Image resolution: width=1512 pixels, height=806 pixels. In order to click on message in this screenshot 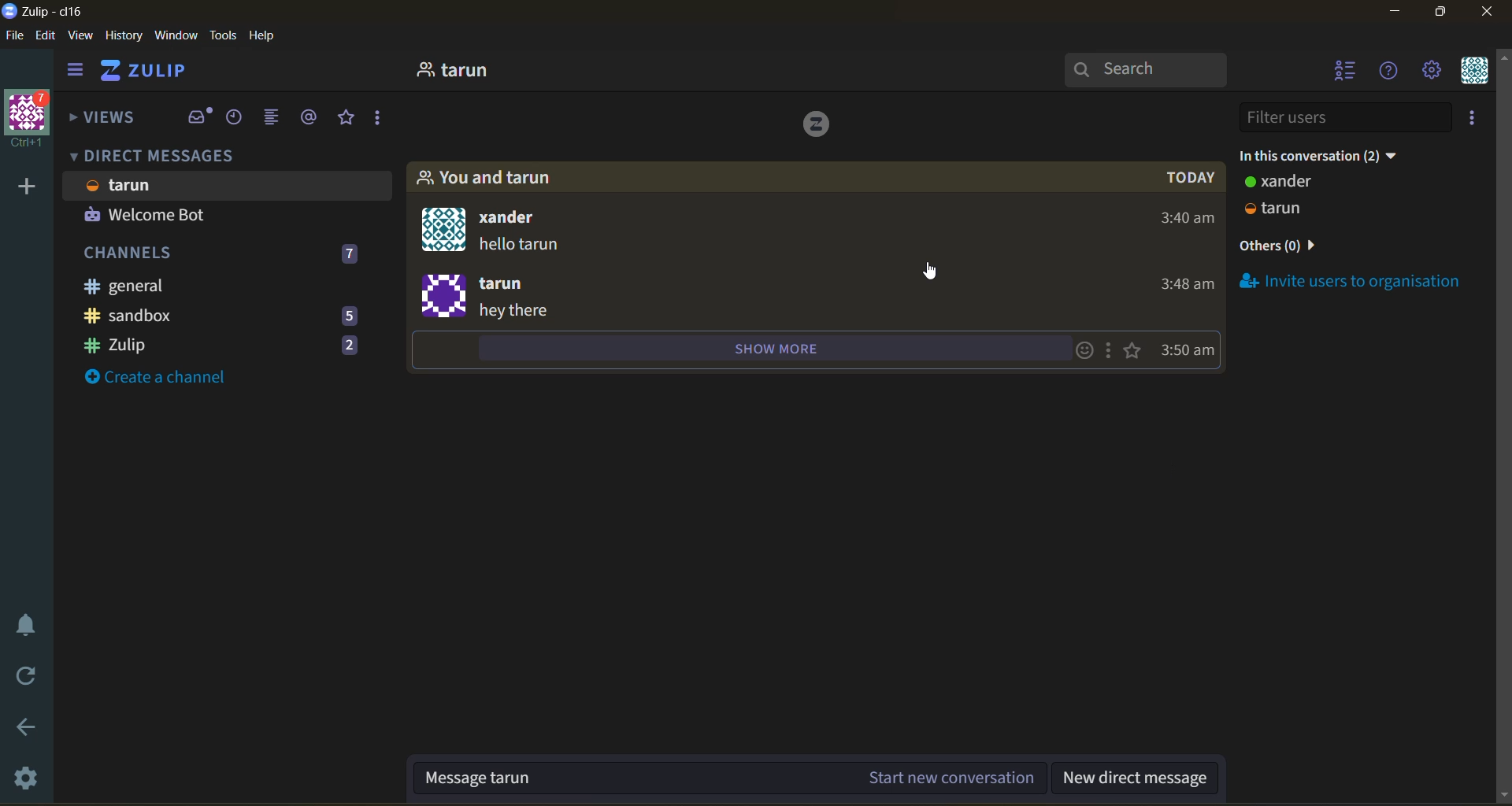, I will do `click(527, 249)`.